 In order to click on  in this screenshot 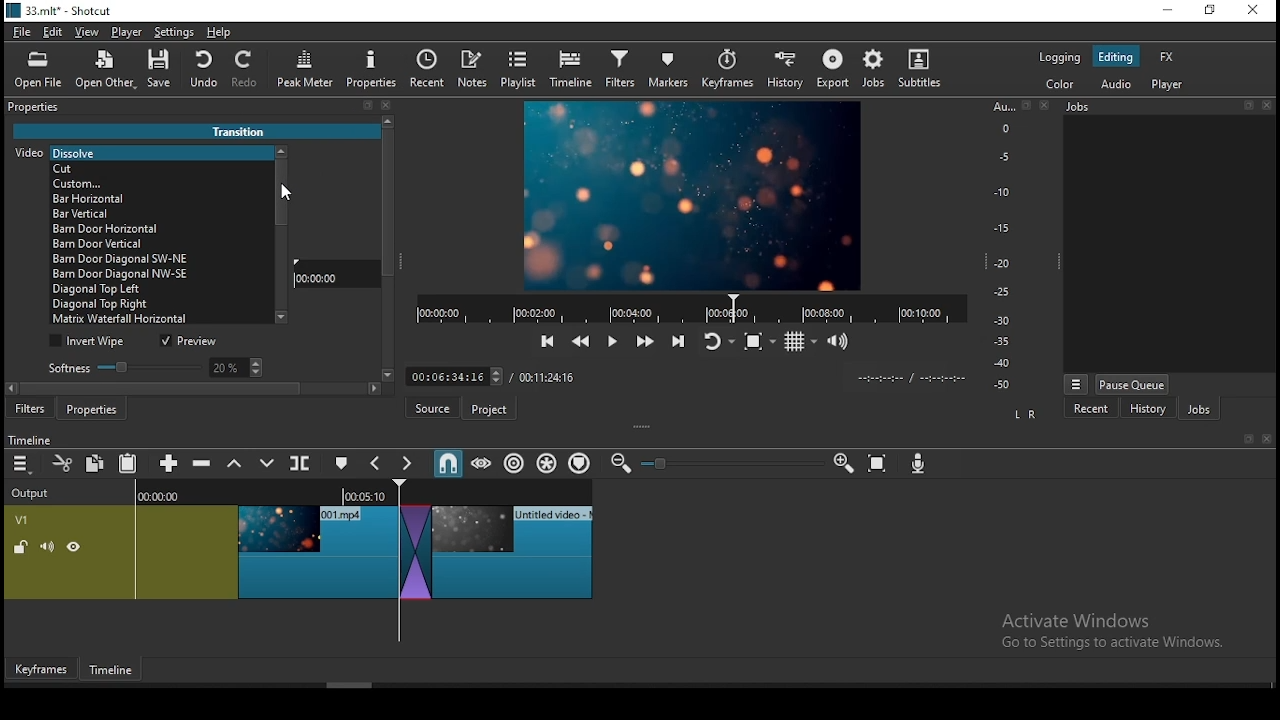, I will do `click(662, 464)`.